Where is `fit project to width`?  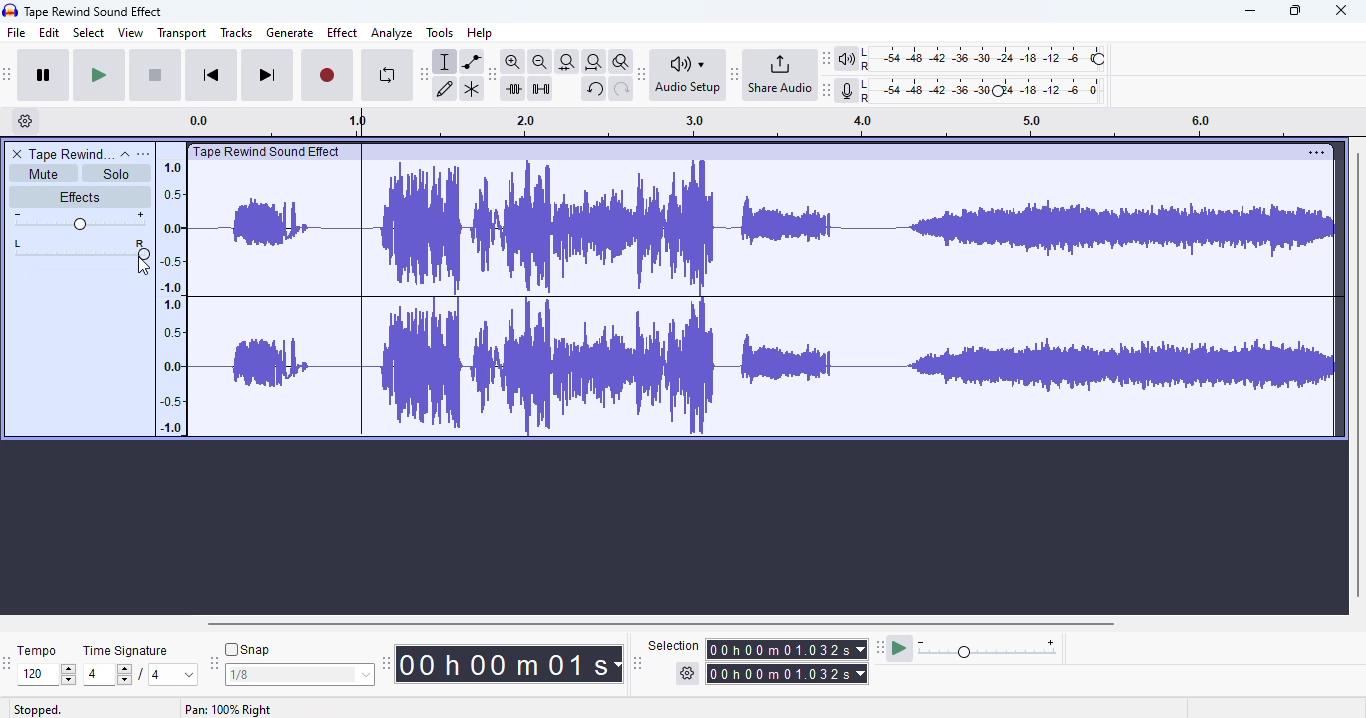 fit project to width is located at coordinates (594, 62).